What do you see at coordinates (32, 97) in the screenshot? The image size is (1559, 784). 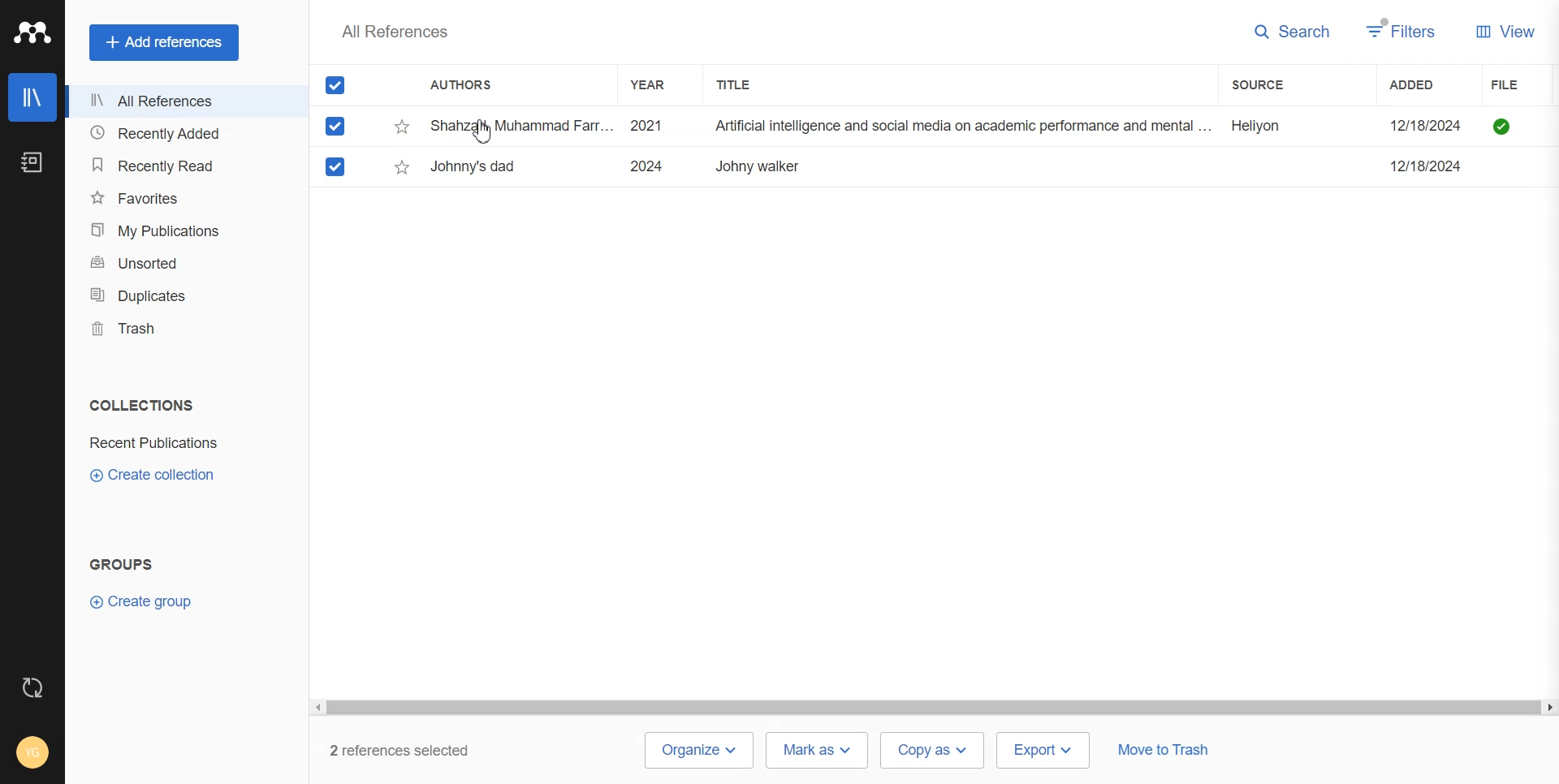 I see `Library` at bounding box center [32, 97].